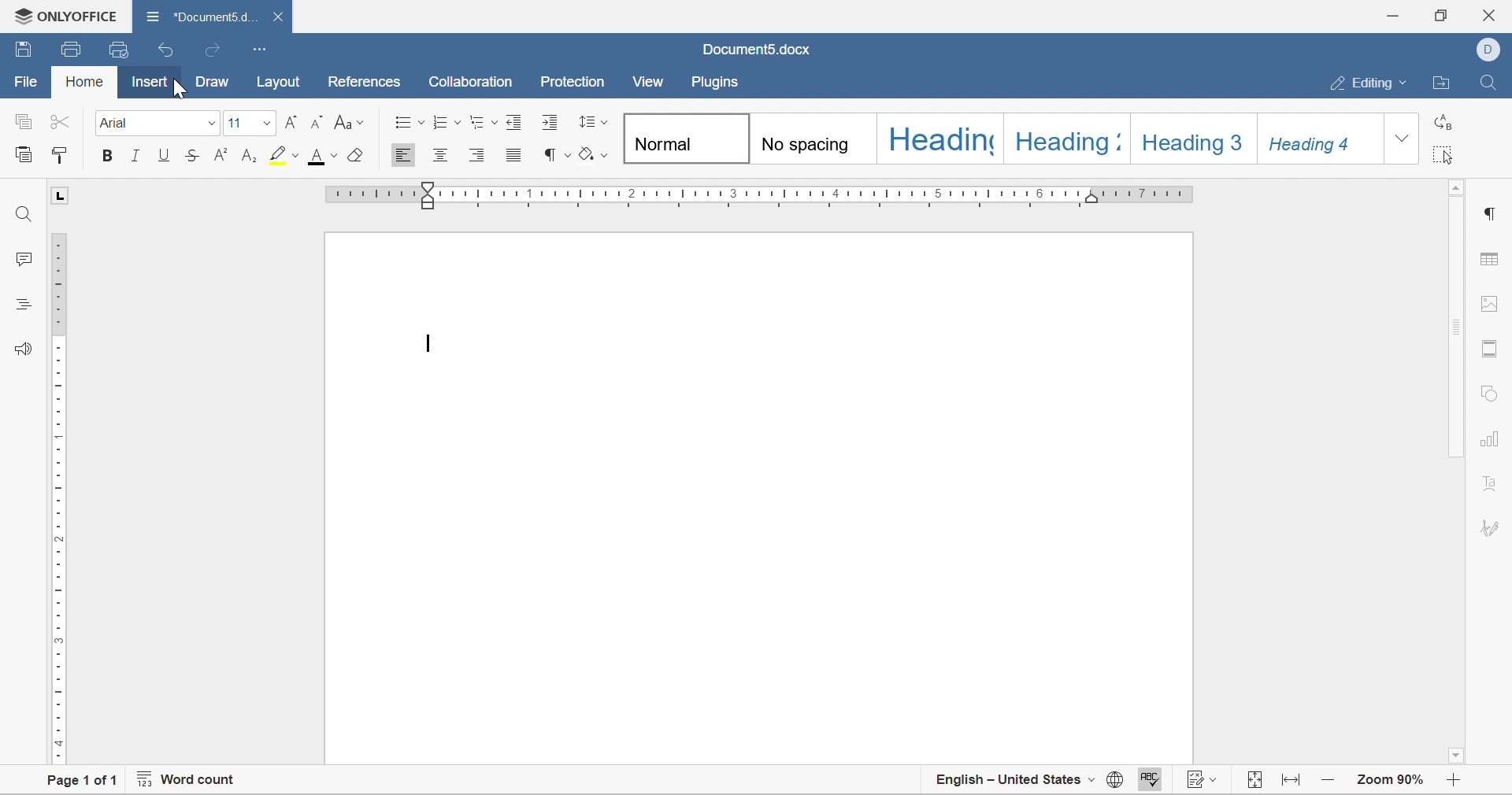 The image size is (1512, 795). What do you see at coordinates (1496, 303) in the screenshot?
I see `image settings` at bounding box center [1496, 303].